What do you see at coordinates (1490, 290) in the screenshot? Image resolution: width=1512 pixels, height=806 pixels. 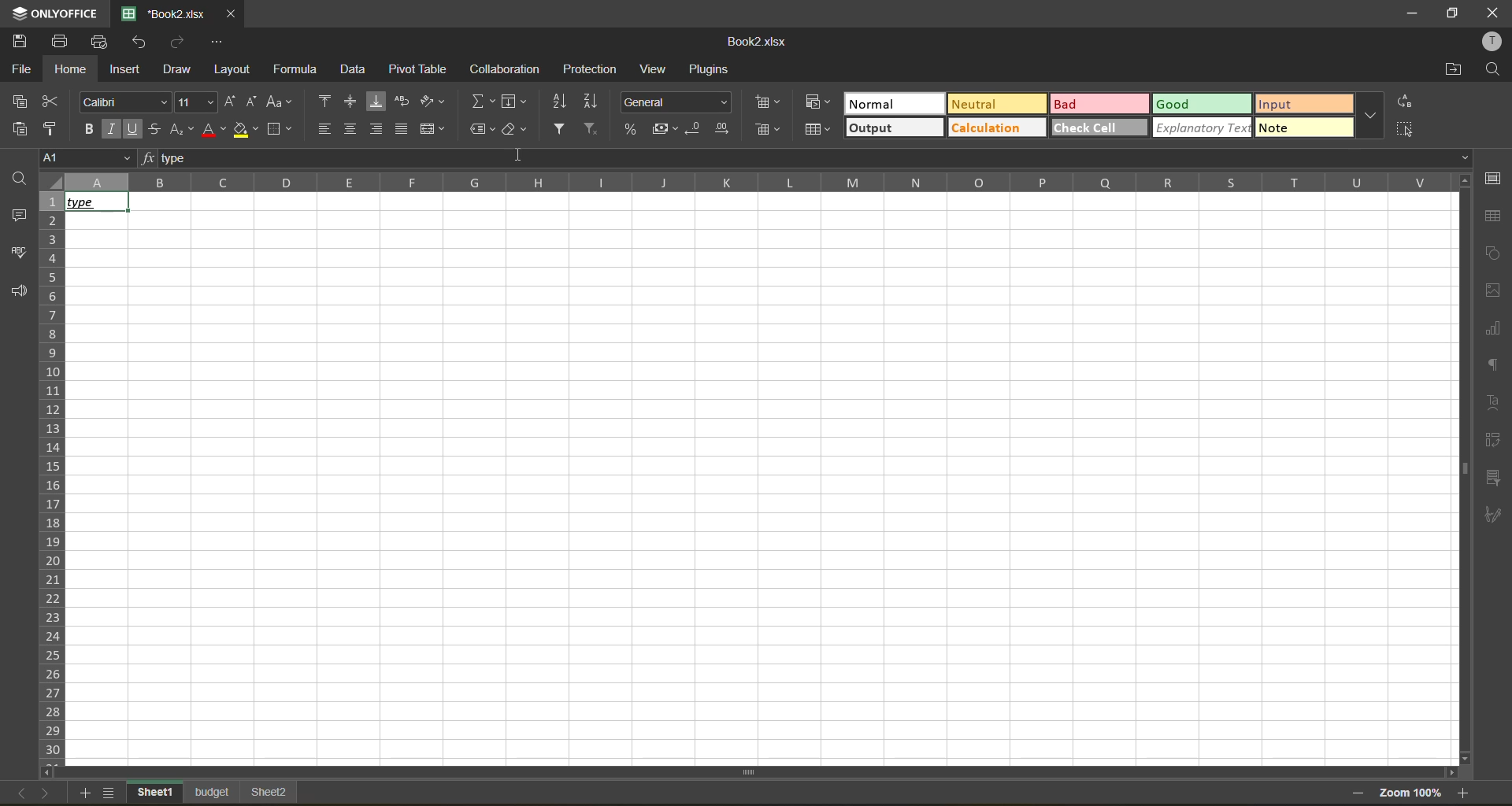 I see `images` at bounding box center [1490, 290].